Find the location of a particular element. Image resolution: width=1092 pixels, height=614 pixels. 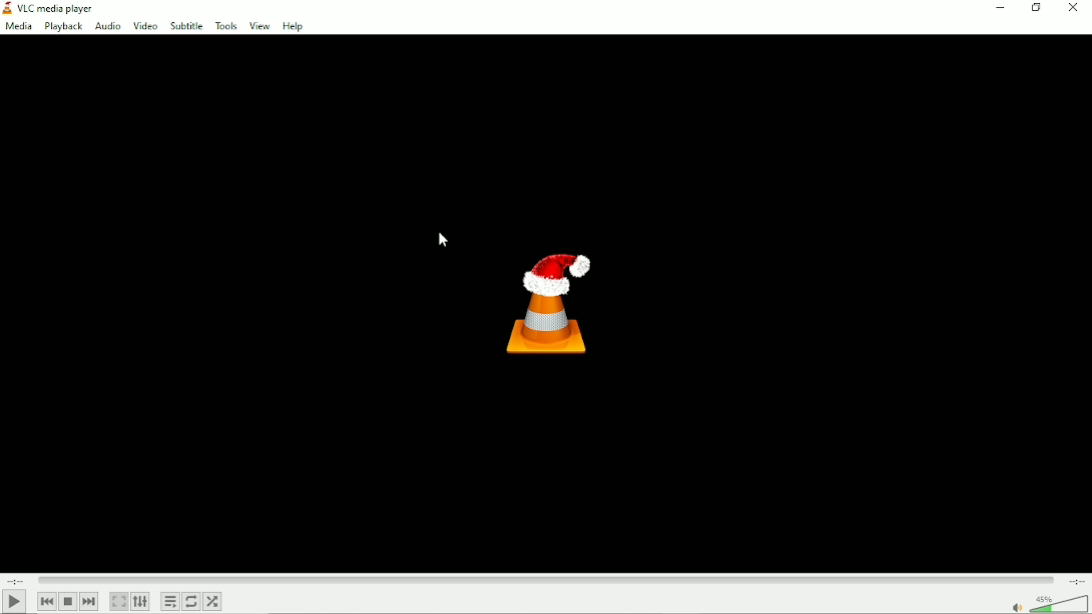

Tools is located at coordinates (225, 26).